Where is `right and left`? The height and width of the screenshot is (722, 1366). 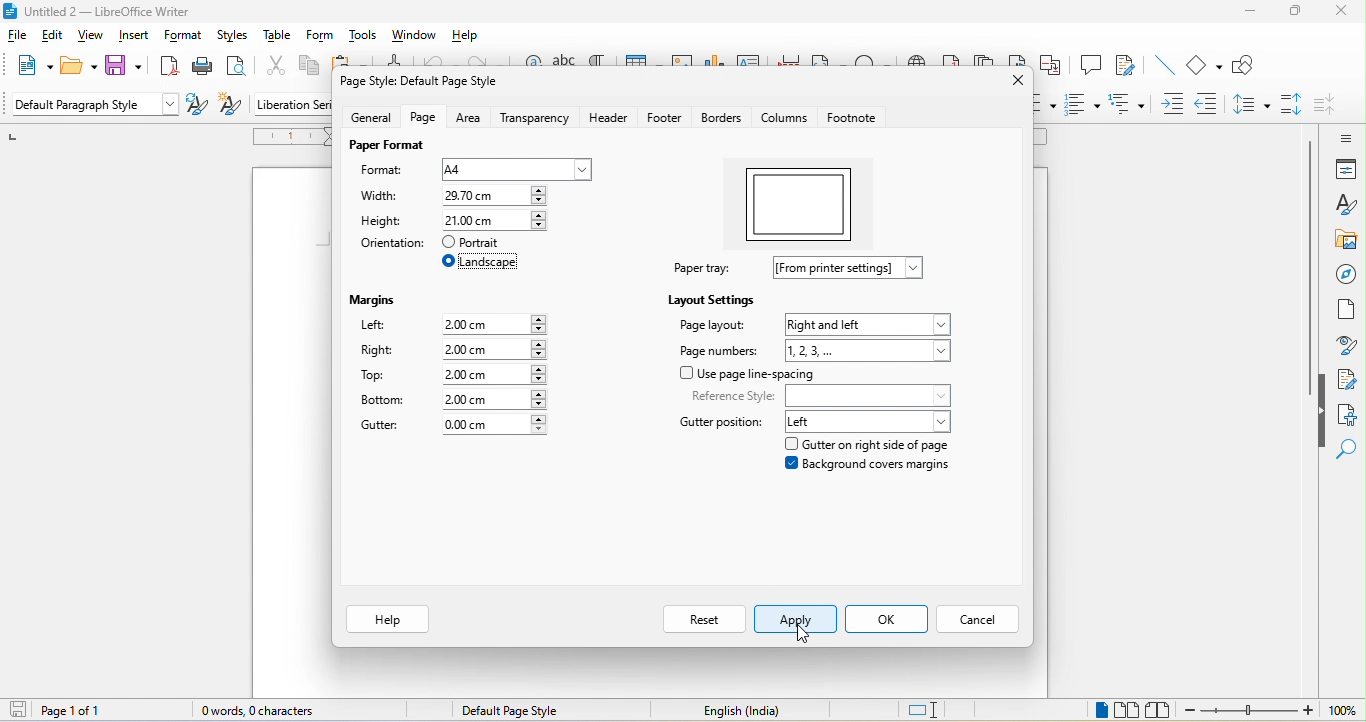 right and left is located at coordinates (870, 322).